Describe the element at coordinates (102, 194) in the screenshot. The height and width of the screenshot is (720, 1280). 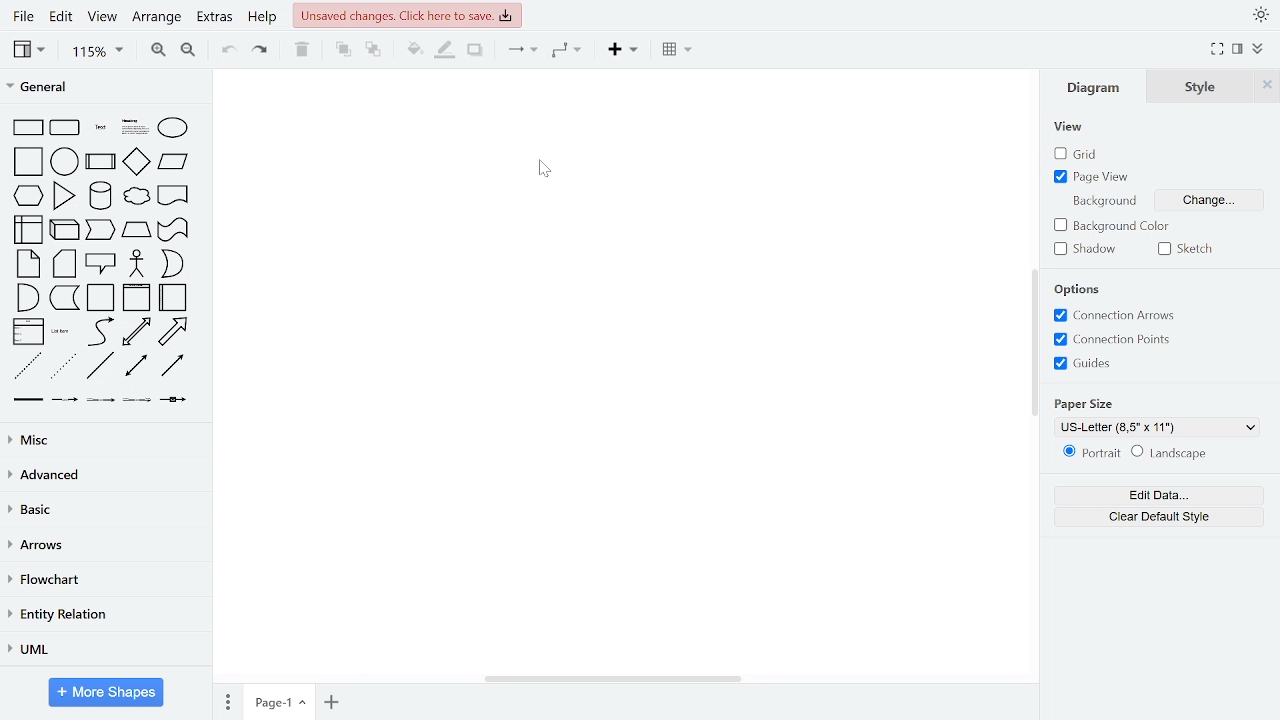
I see `cylinder` at that location.